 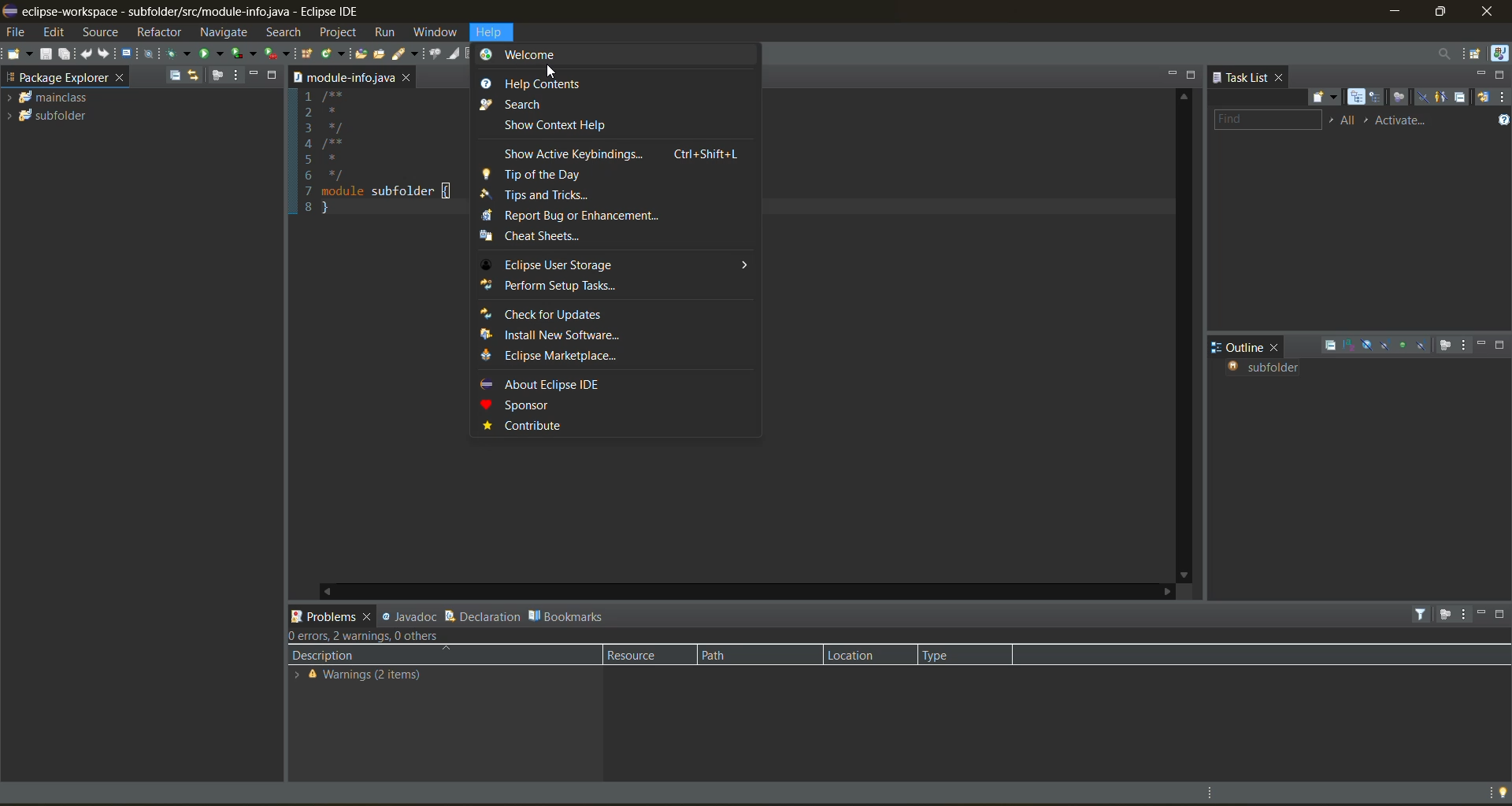 What do you see at coordinates (49, 117) in the screenshot?
I see `module 2` at bounding box center [49, 117].